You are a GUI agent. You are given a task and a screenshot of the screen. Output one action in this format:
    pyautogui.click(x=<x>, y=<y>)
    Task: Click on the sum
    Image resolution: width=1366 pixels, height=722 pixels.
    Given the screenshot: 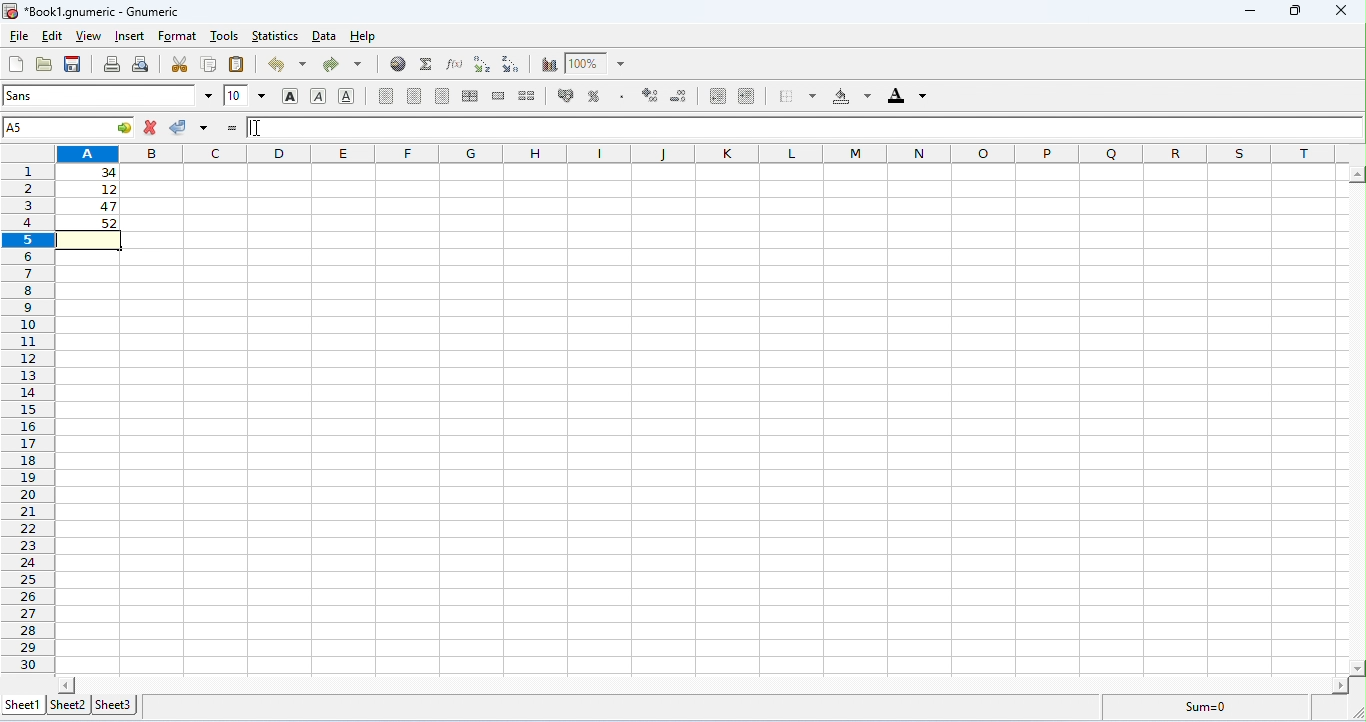 What is the action you would take?
    pyautogui.click(x=427, y=64)
    